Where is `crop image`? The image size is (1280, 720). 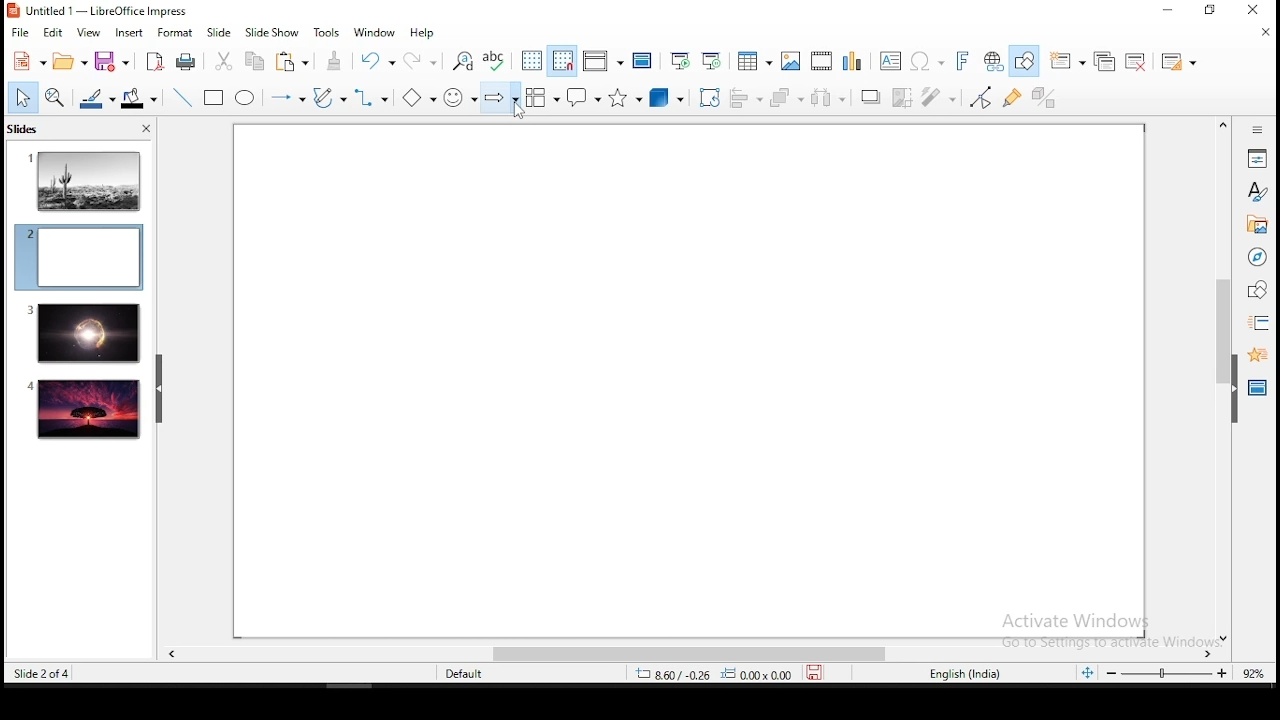 crop image is located at coordinates (902, 96).